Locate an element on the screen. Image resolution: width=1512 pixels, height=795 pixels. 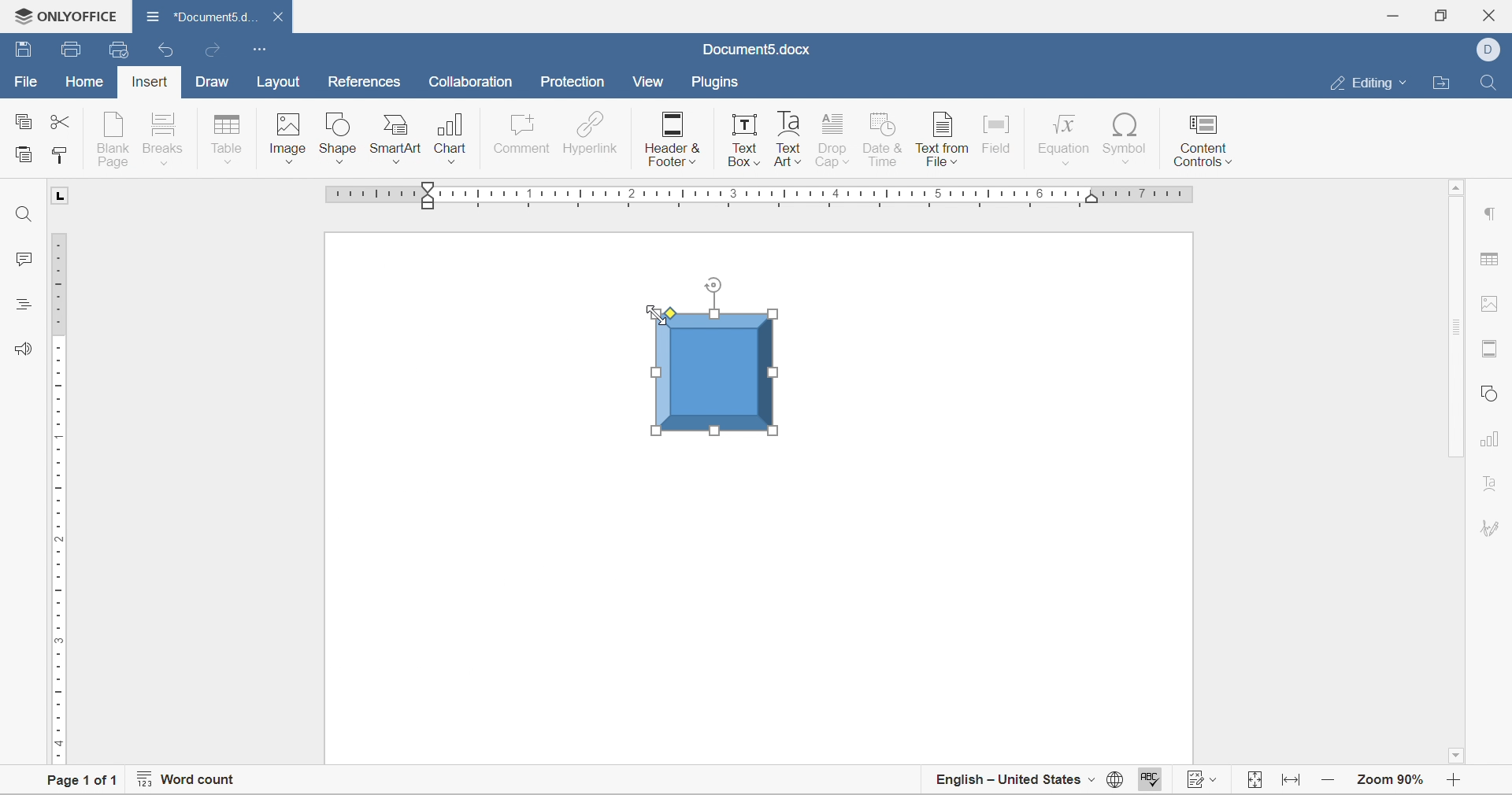
ruler is located at coordinates (755, 198).